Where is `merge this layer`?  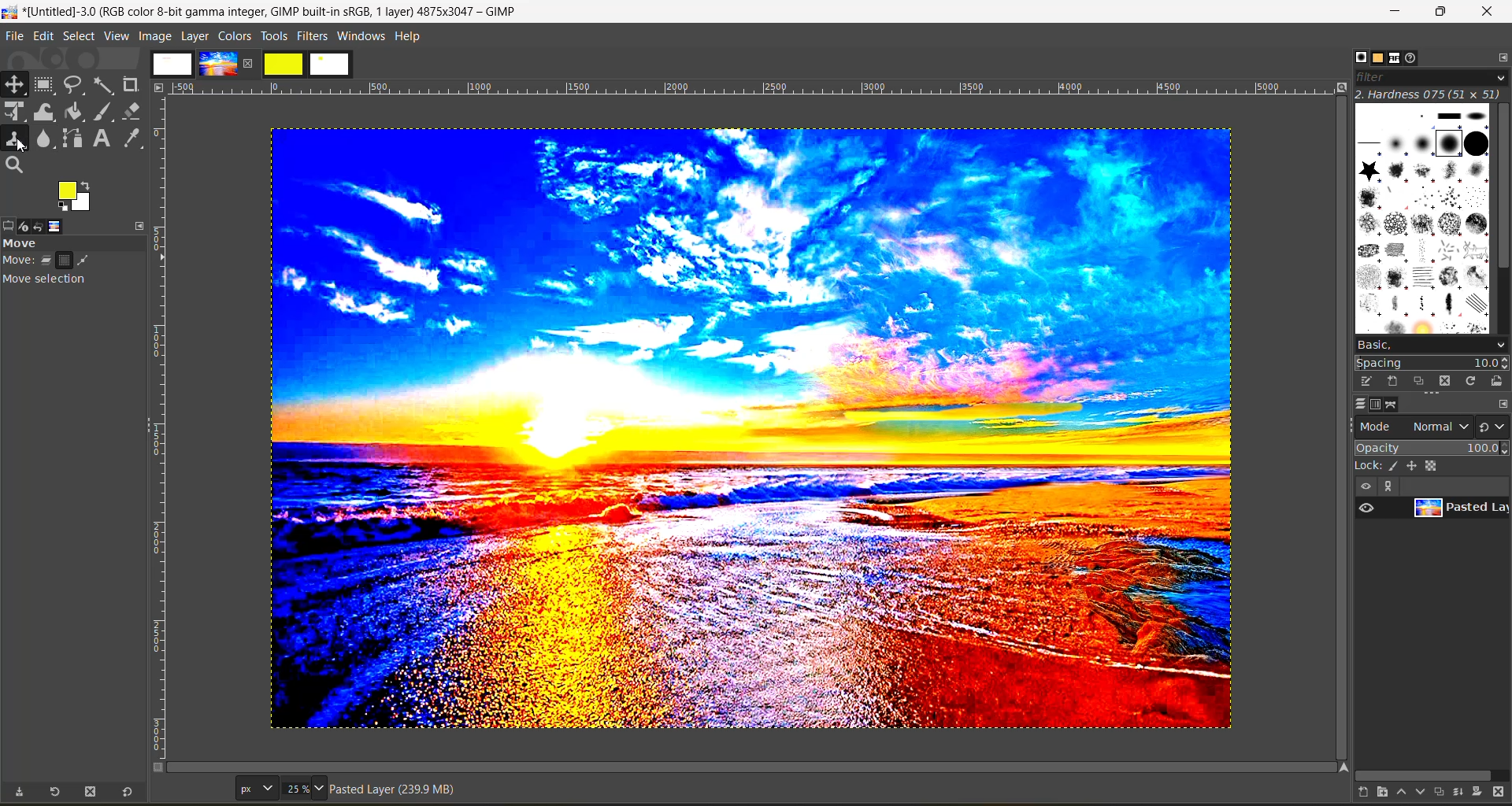
merge this layer is located at coordinates (1458, 791).